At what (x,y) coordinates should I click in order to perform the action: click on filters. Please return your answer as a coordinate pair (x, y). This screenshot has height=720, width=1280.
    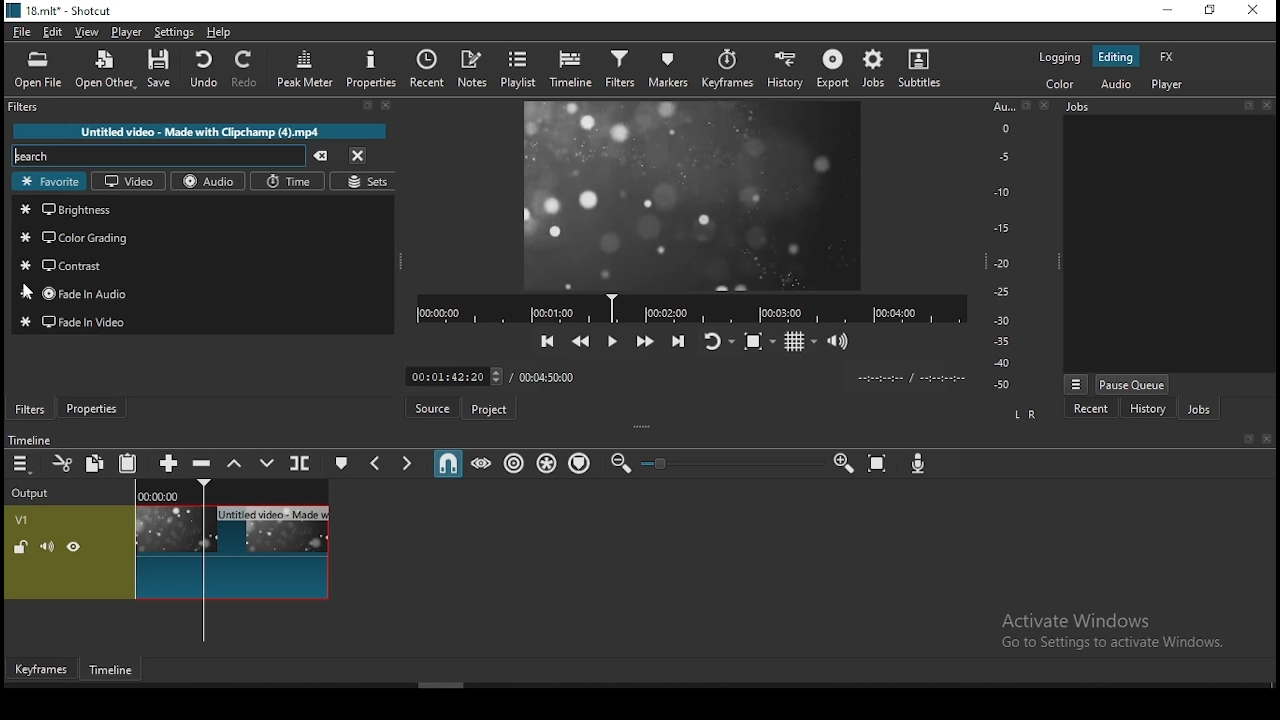
    Looking at the image, I should click on (31, 409).